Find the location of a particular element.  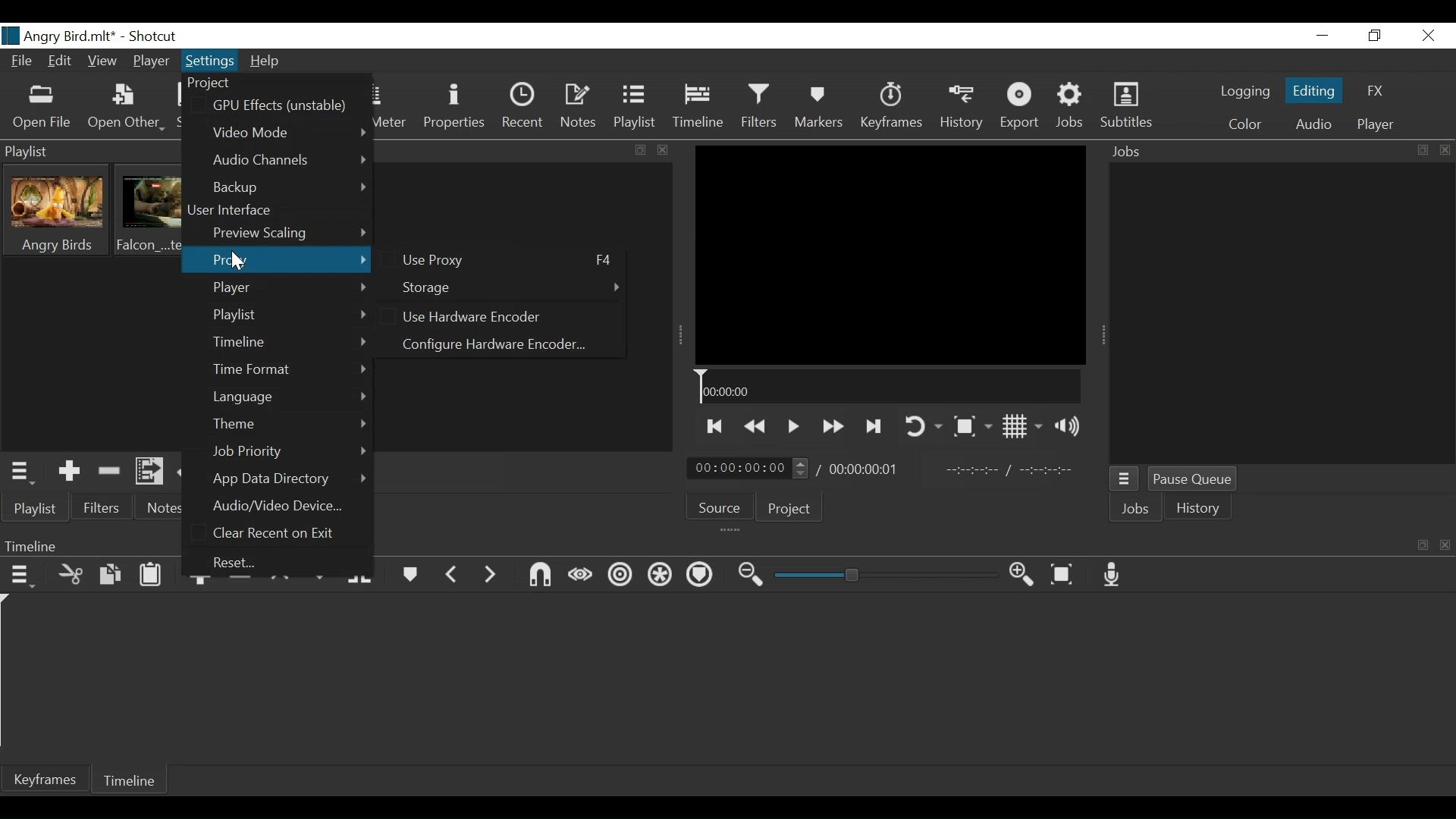

Timeline is located at coordinates (290, 342).